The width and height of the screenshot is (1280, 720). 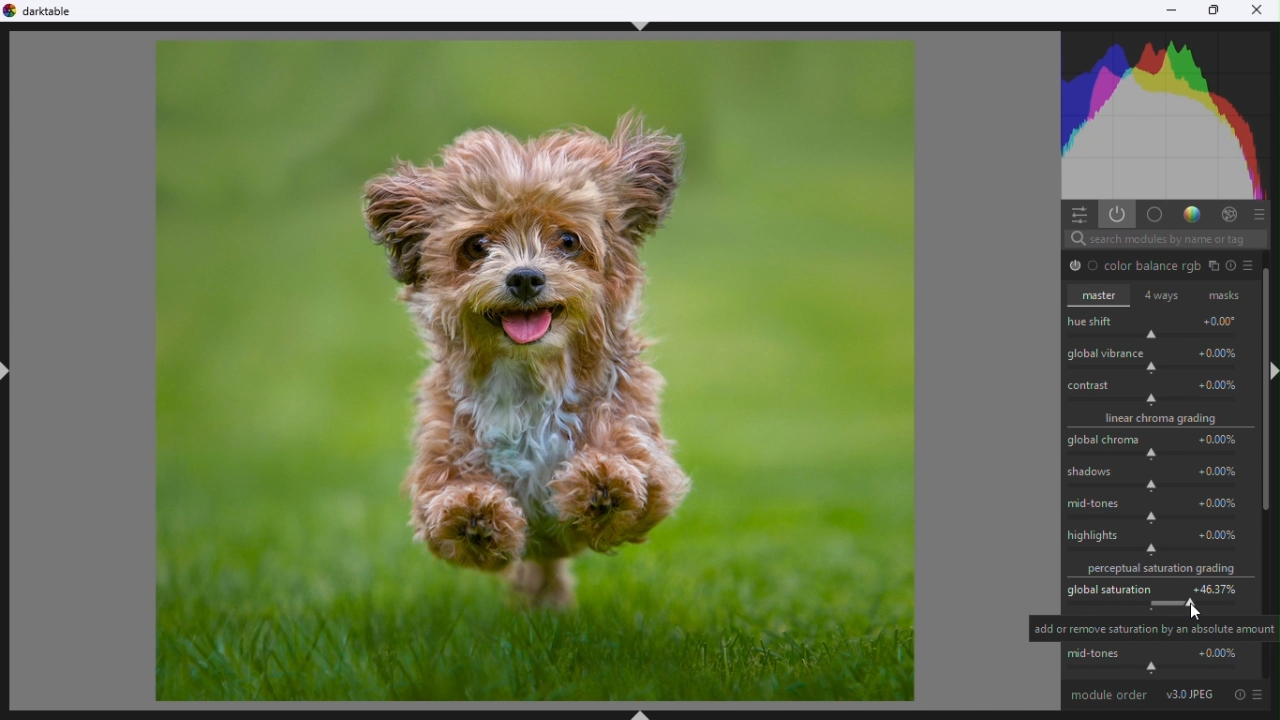 I want to click on ctrl+shhft+B, so click(x=644, y=713).